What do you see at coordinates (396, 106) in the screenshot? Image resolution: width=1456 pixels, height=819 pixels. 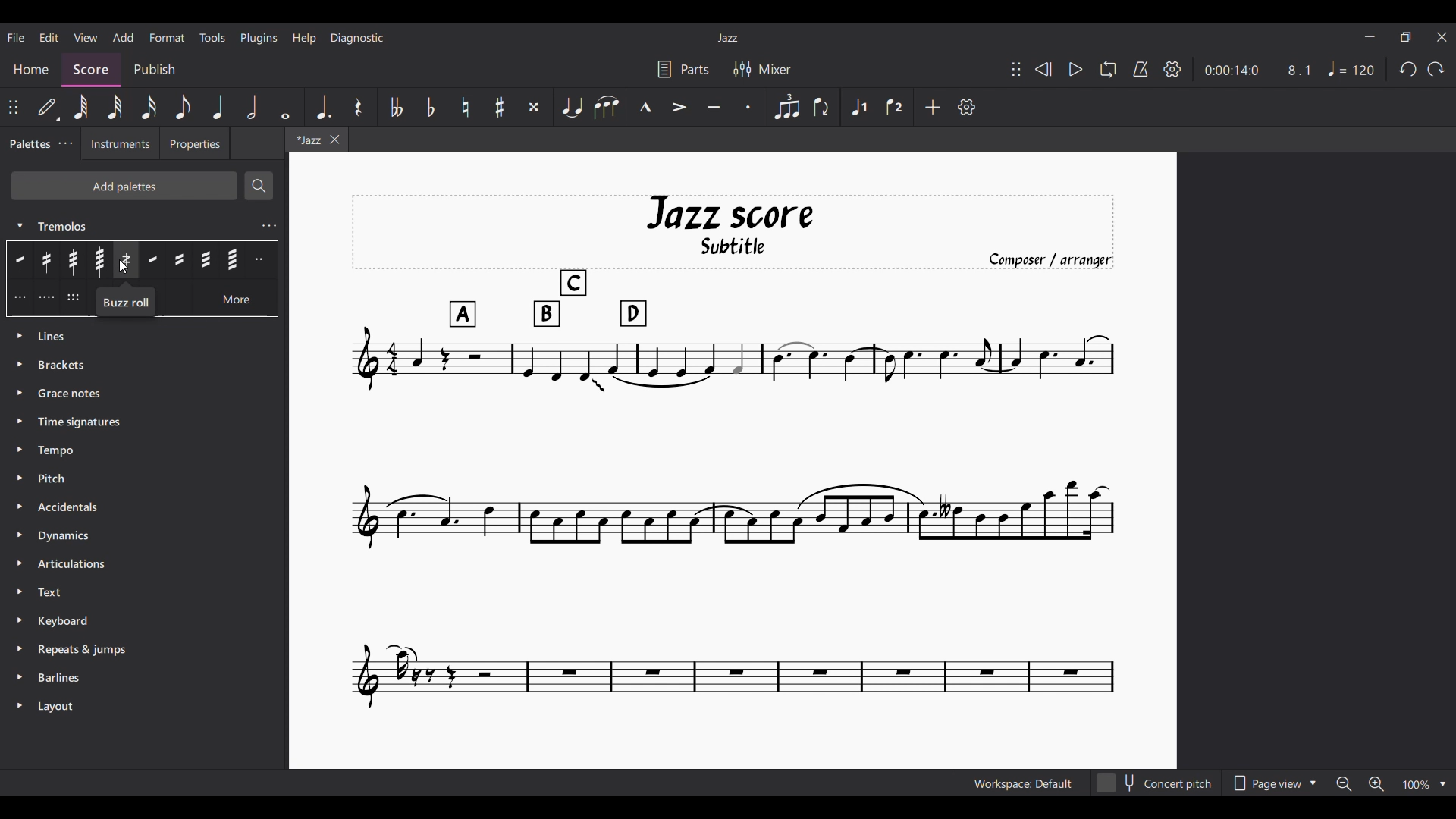 I see `Toggle double flat` at bounding box center [396, 106].